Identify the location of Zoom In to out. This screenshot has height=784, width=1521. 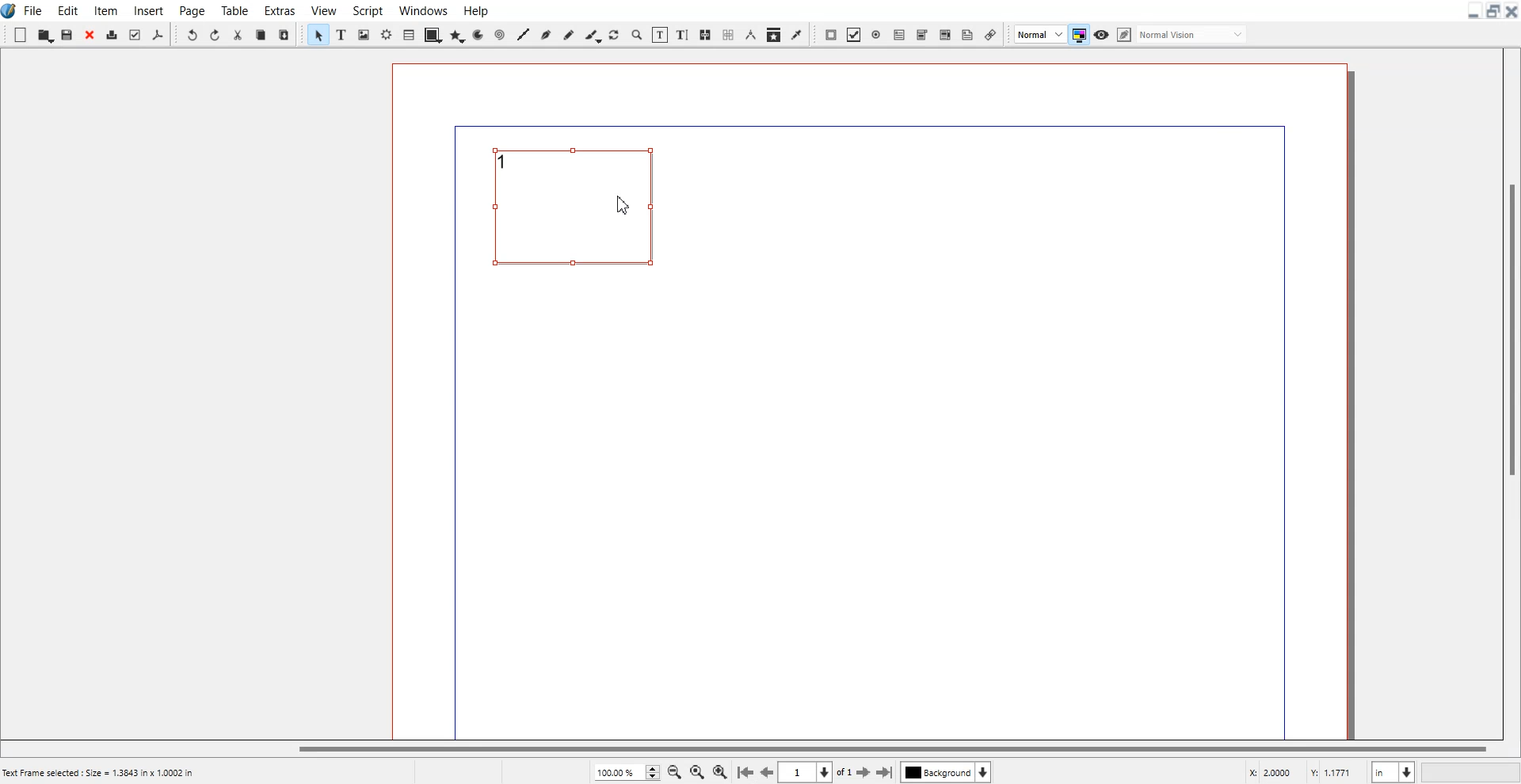
(637, 34).